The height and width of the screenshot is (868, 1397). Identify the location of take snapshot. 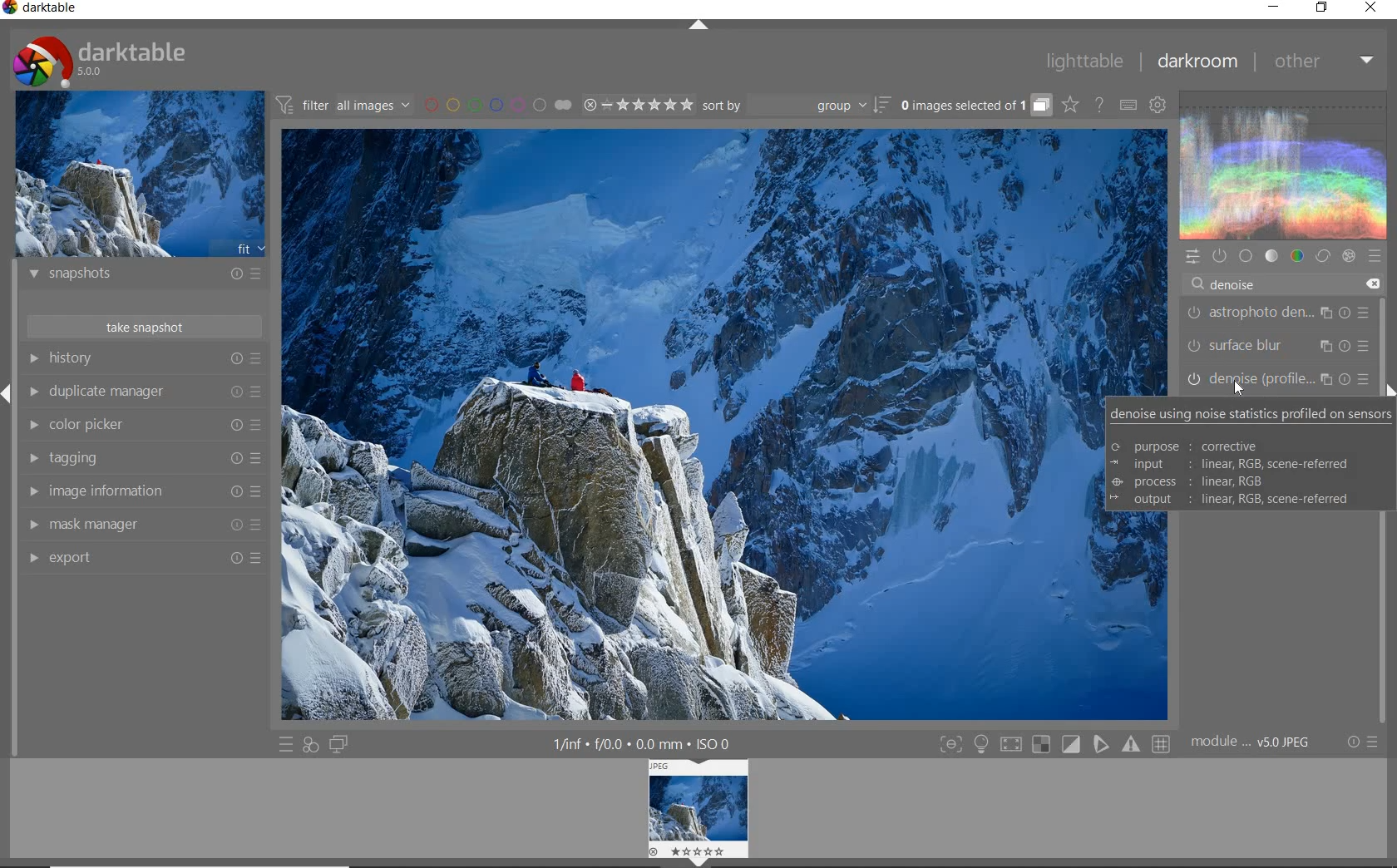
(147, 326).